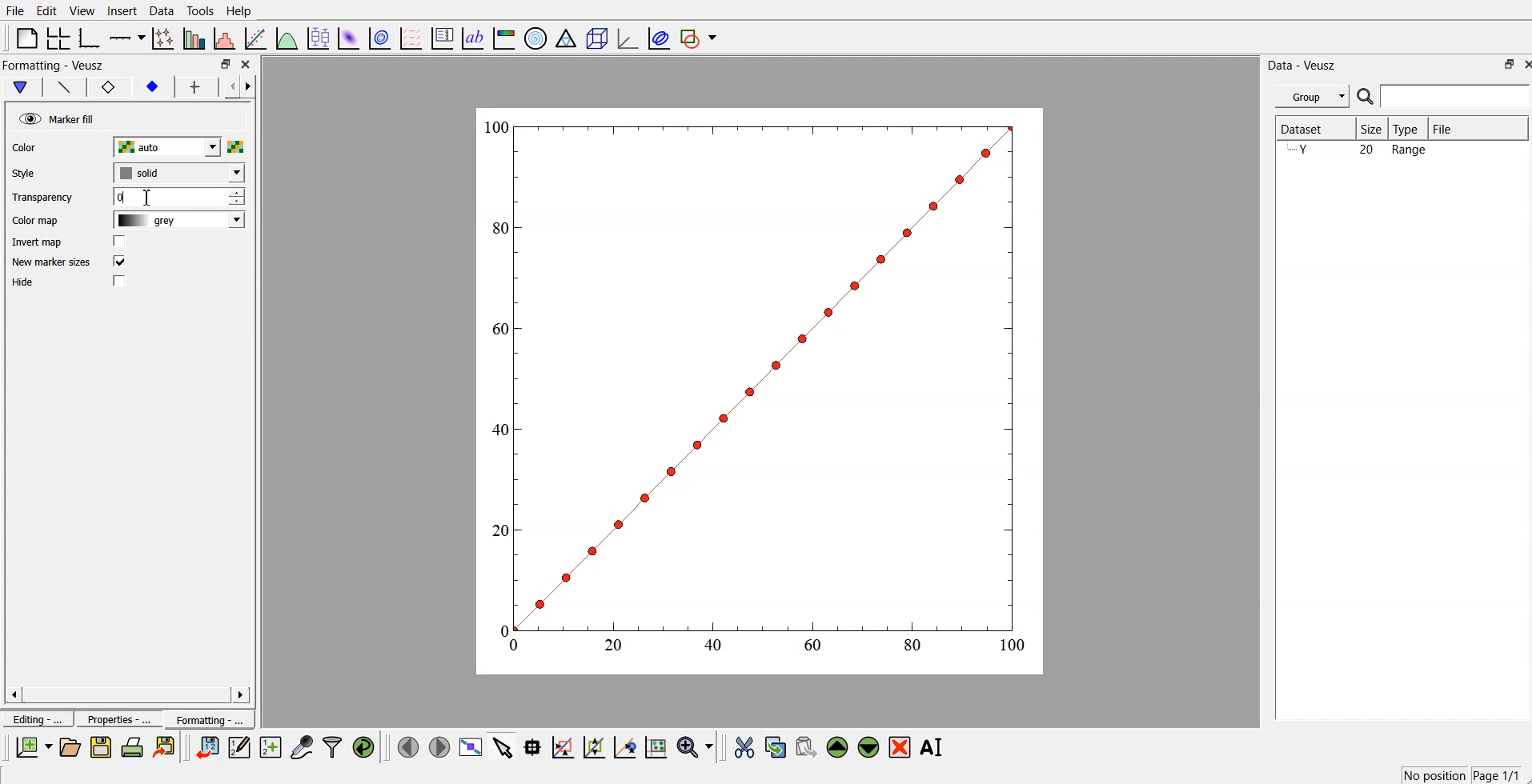 The height and width of the screenshot is (784, 1532). I want to click on marker fill, so click(55, 117).